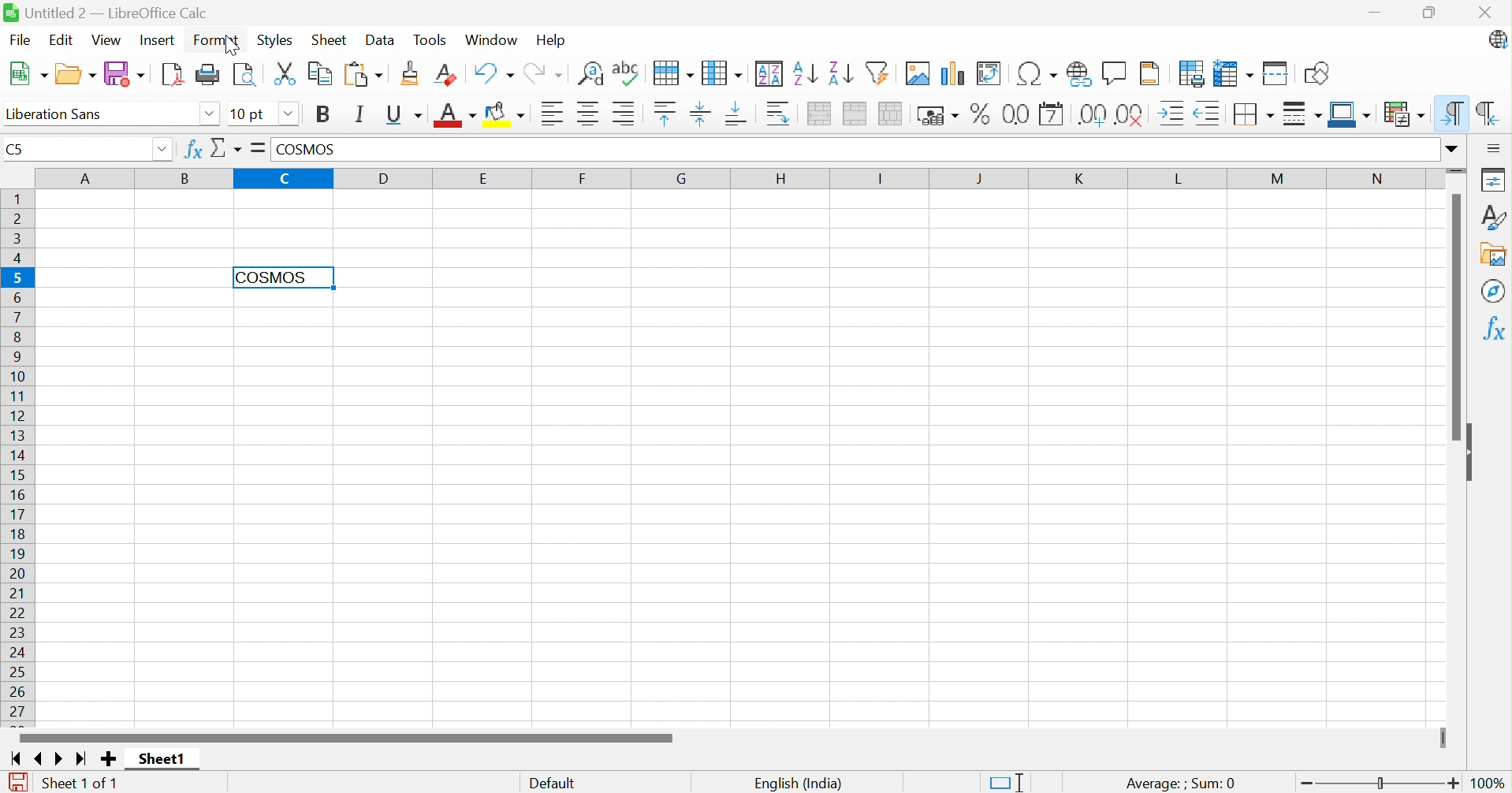  Describe the element at coordinates (1454, 783) in the screenshot. I see `Zoom In` at that location.